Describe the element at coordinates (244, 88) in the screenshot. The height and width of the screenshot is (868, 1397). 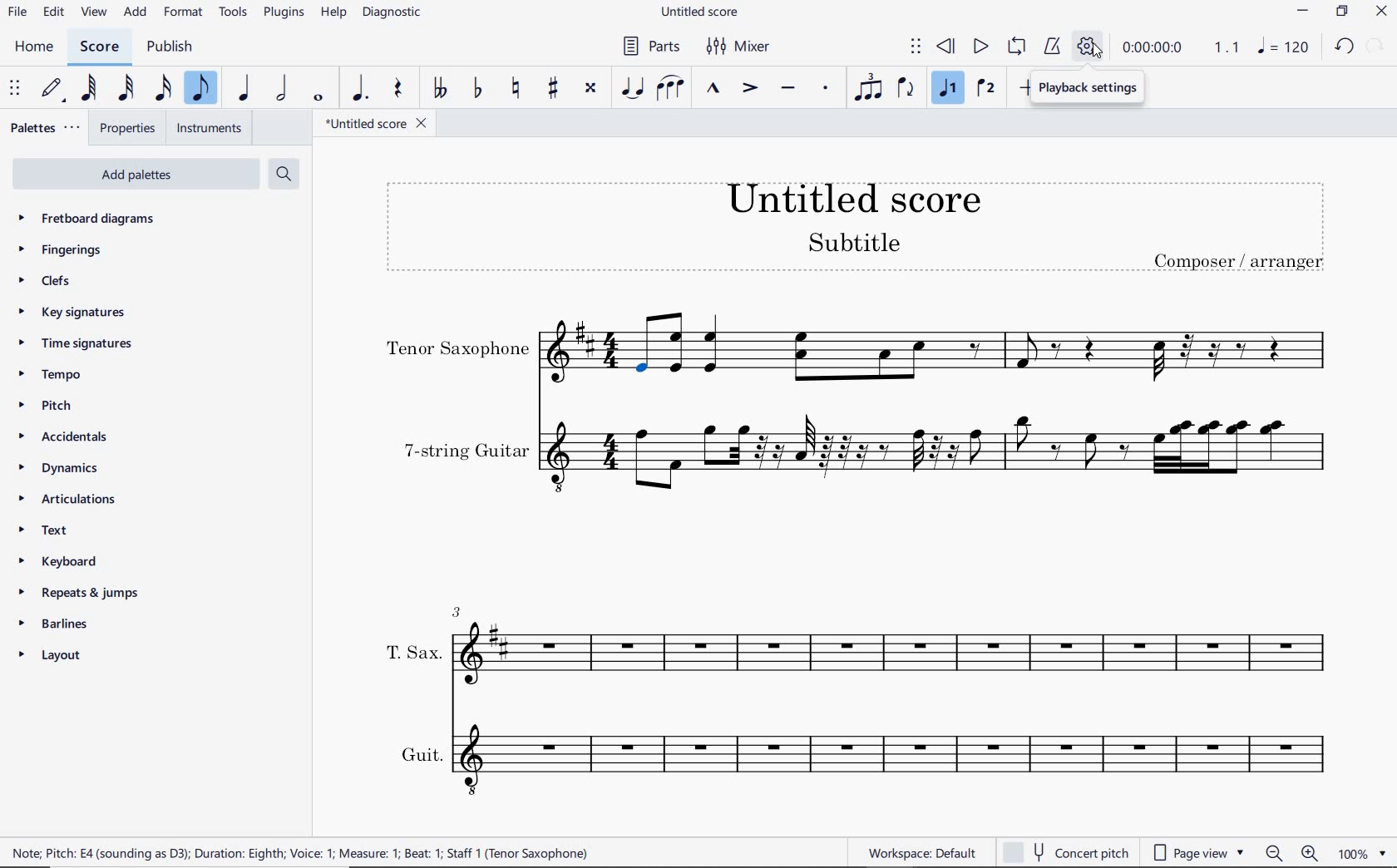
I see `QUARTER NOTE` at that location.